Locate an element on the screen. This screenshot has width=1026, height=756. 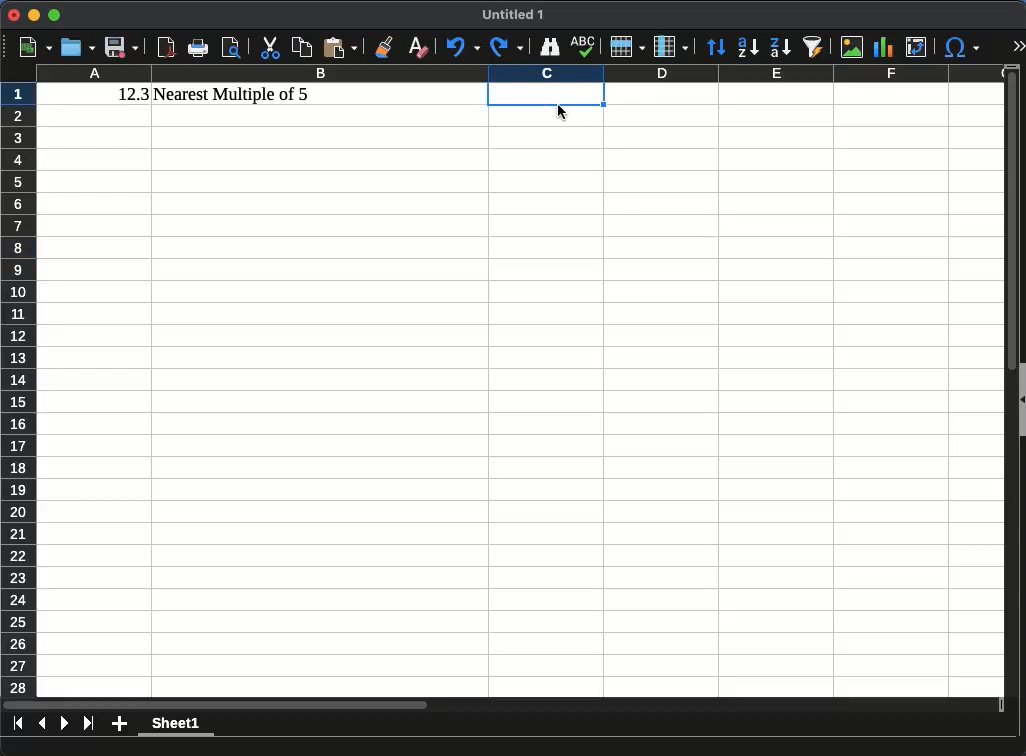
next sheet is located at coordinates (65, 725).